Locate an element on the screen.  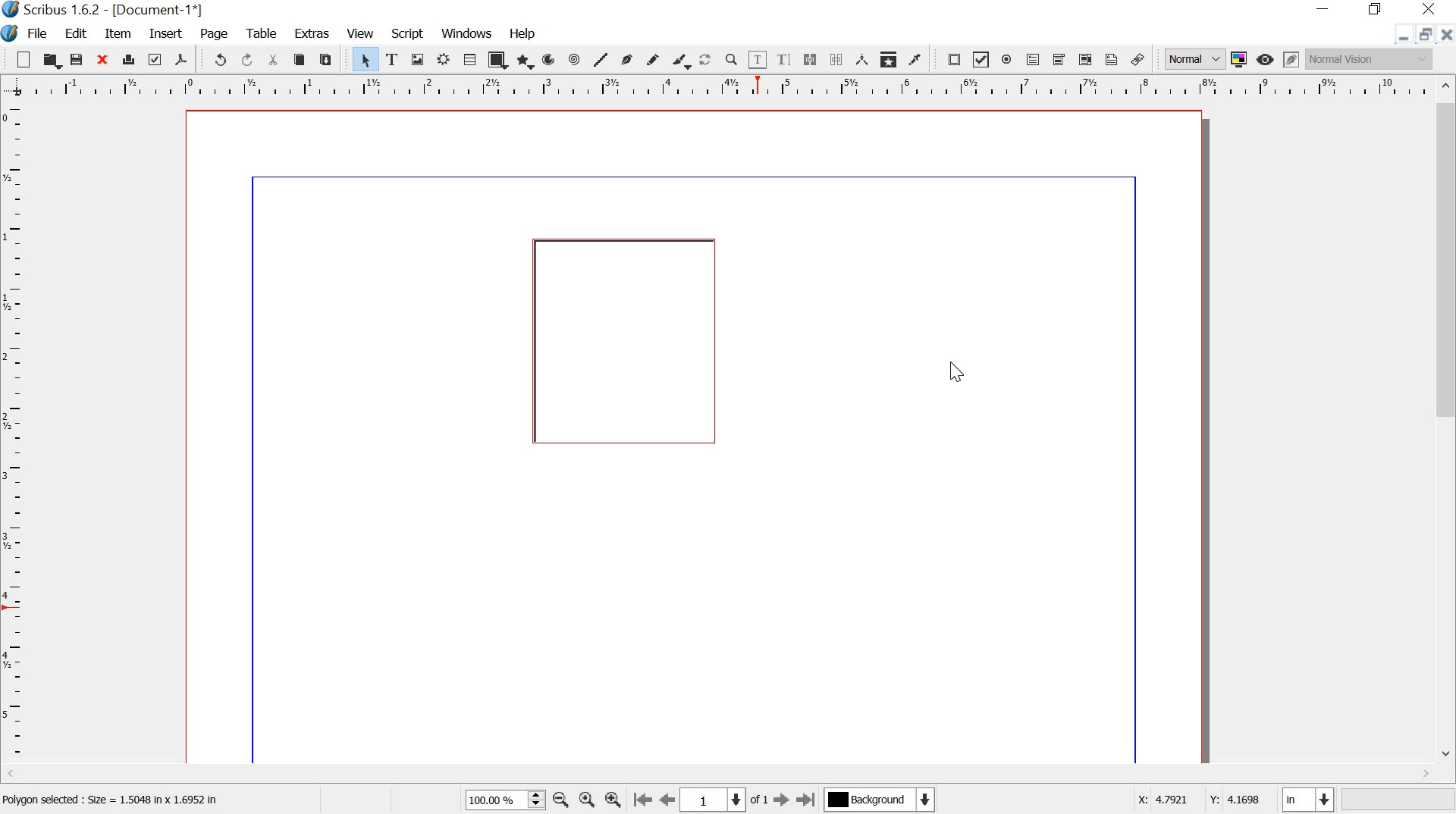
line is located at coordinates (602, 59).